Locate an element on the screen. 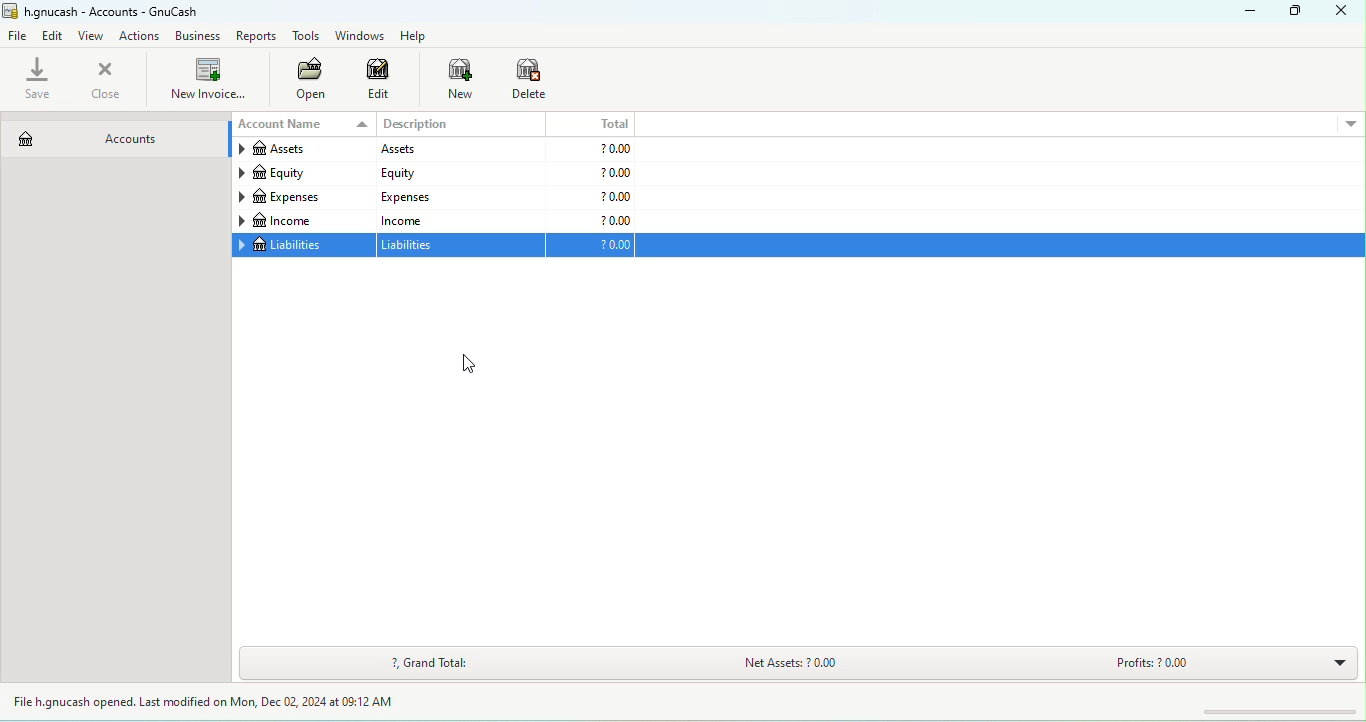 The height and width of the screenshot is (722, 1366). windows is located at coordinates (358, 36).